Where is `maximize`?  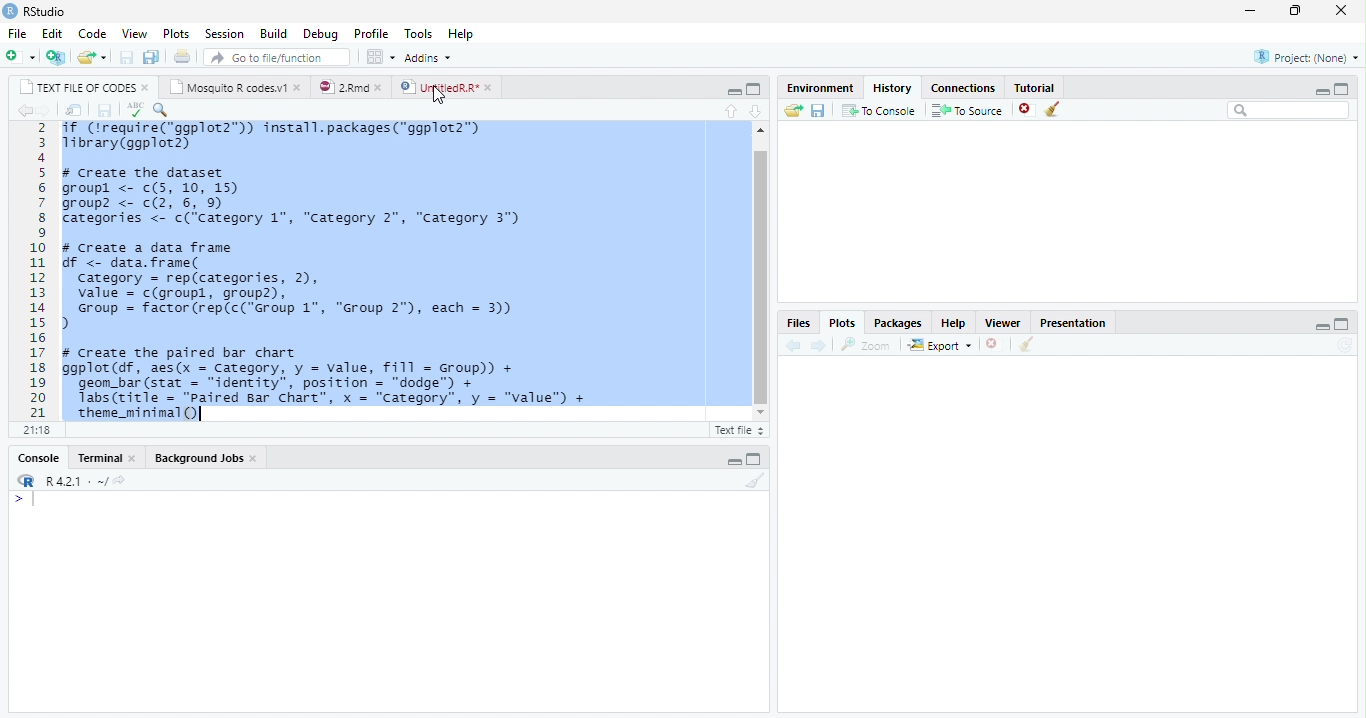 maximize is located at coordinates (1346, 89).